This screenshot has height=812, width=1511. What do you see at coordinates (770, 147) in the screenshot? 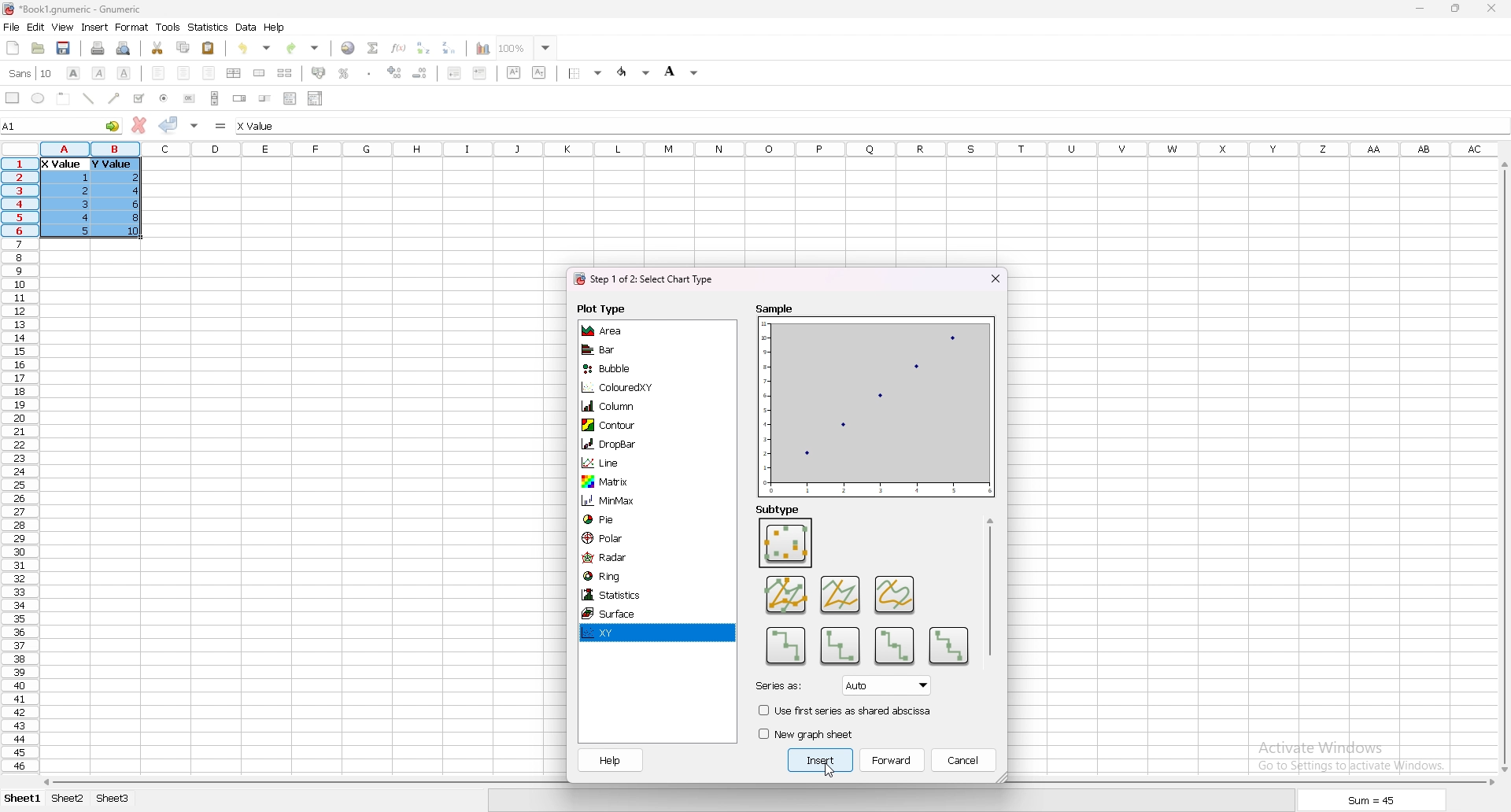
I see `columns` at bounding box center [770, 147].